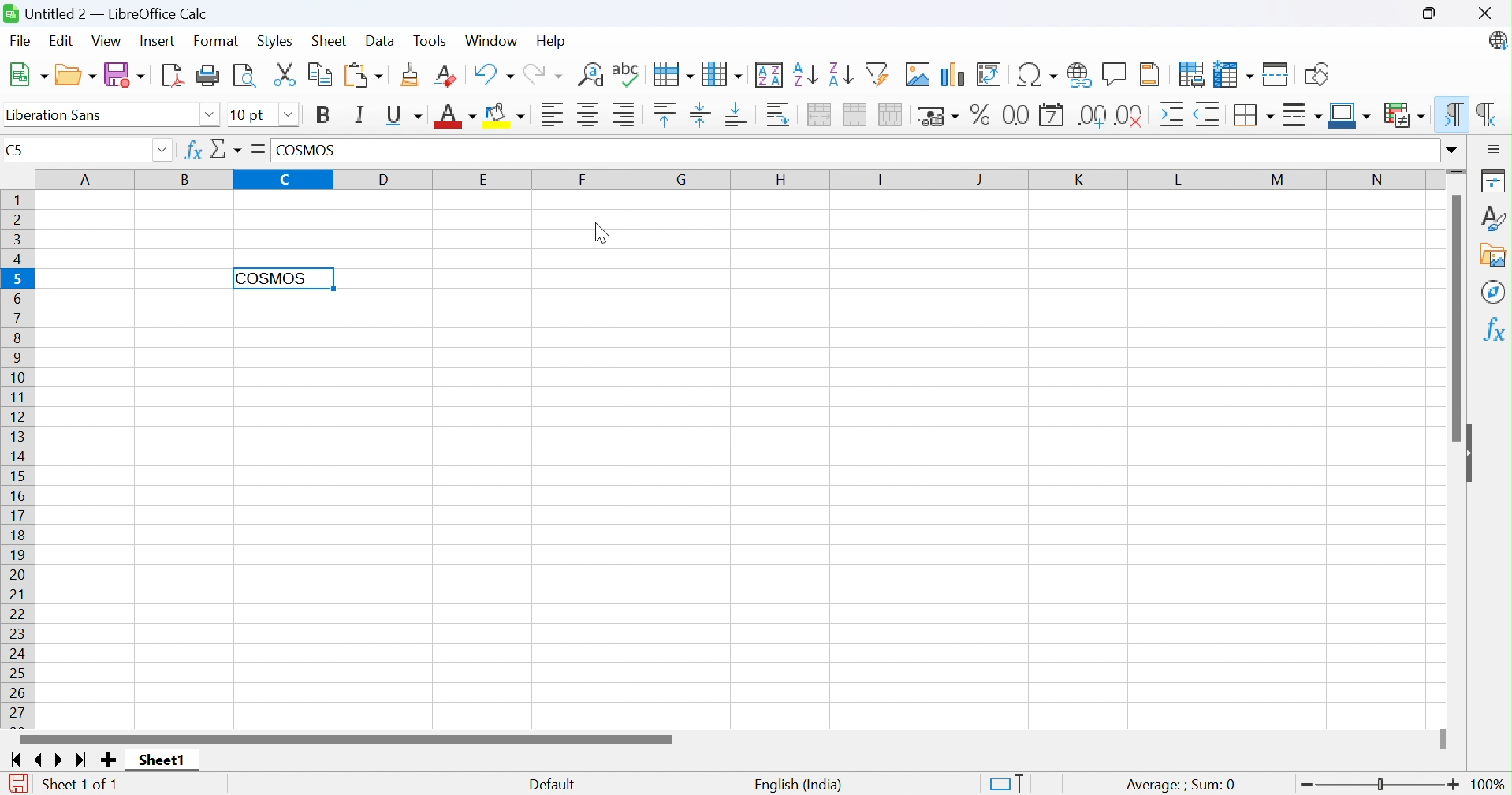  Describe the element at coordinates (289, 114) in the screenshot. I see `Drop down` at that location.